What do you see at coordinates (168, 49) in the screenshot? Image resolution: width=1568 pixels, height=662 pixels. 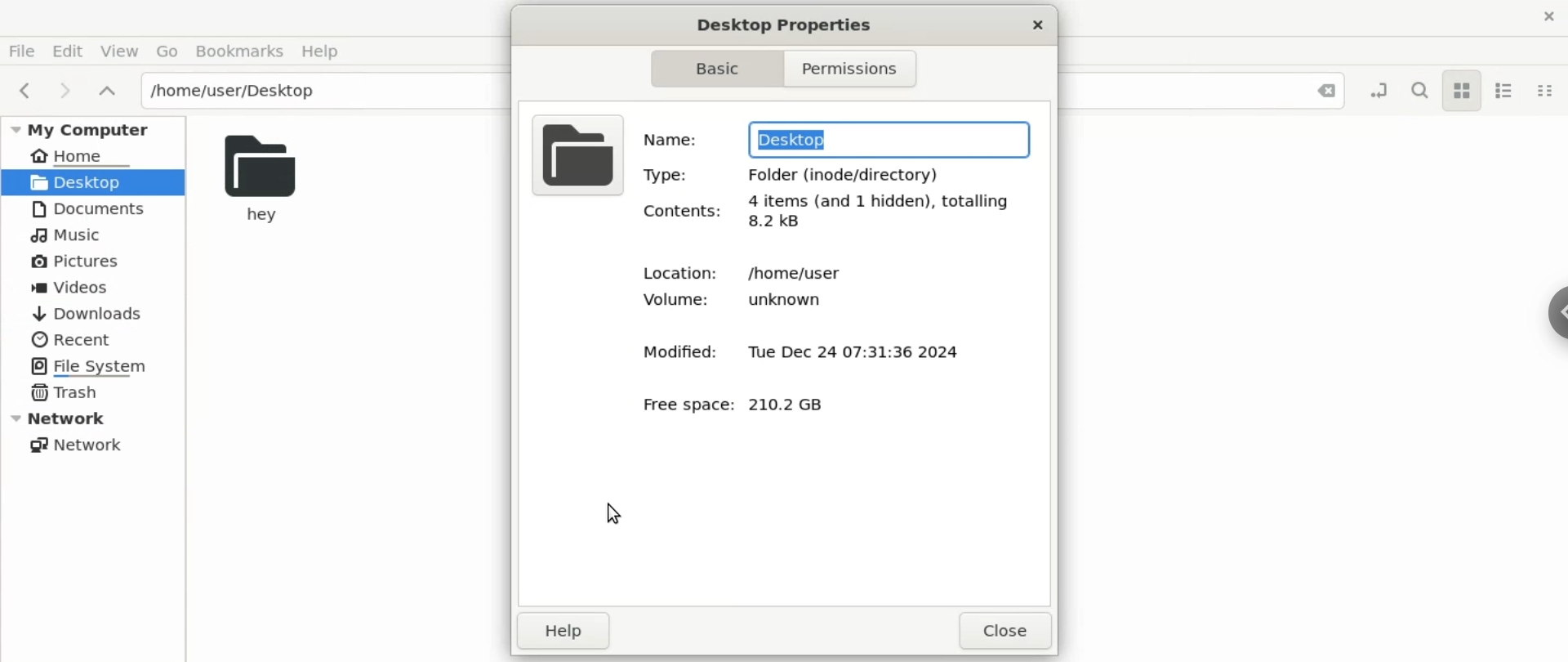 I see `go ` at bounding box center [168, 49].